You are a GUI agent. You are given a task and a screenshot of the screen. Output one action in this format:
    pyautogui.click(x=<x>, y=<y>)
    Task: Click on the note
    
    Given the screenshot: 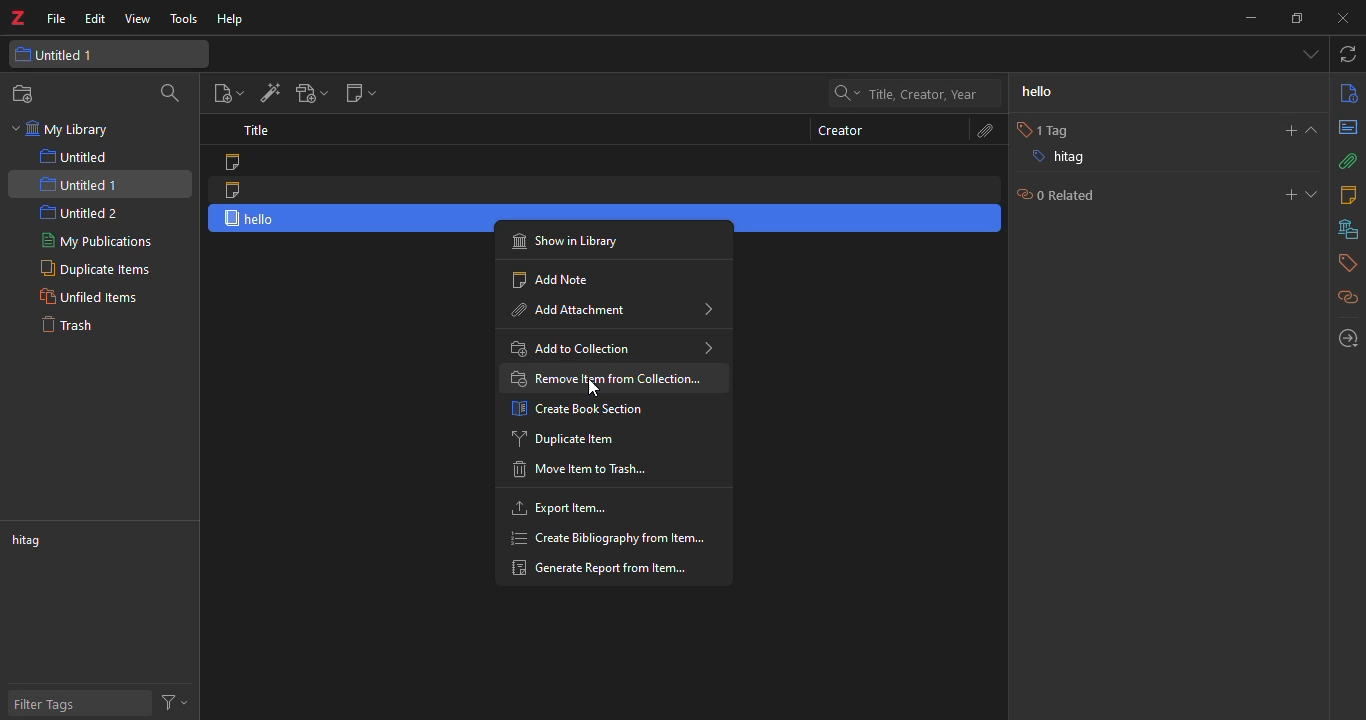 What is the action you would take?
    pyautogui.click(x=231, y=163)
    